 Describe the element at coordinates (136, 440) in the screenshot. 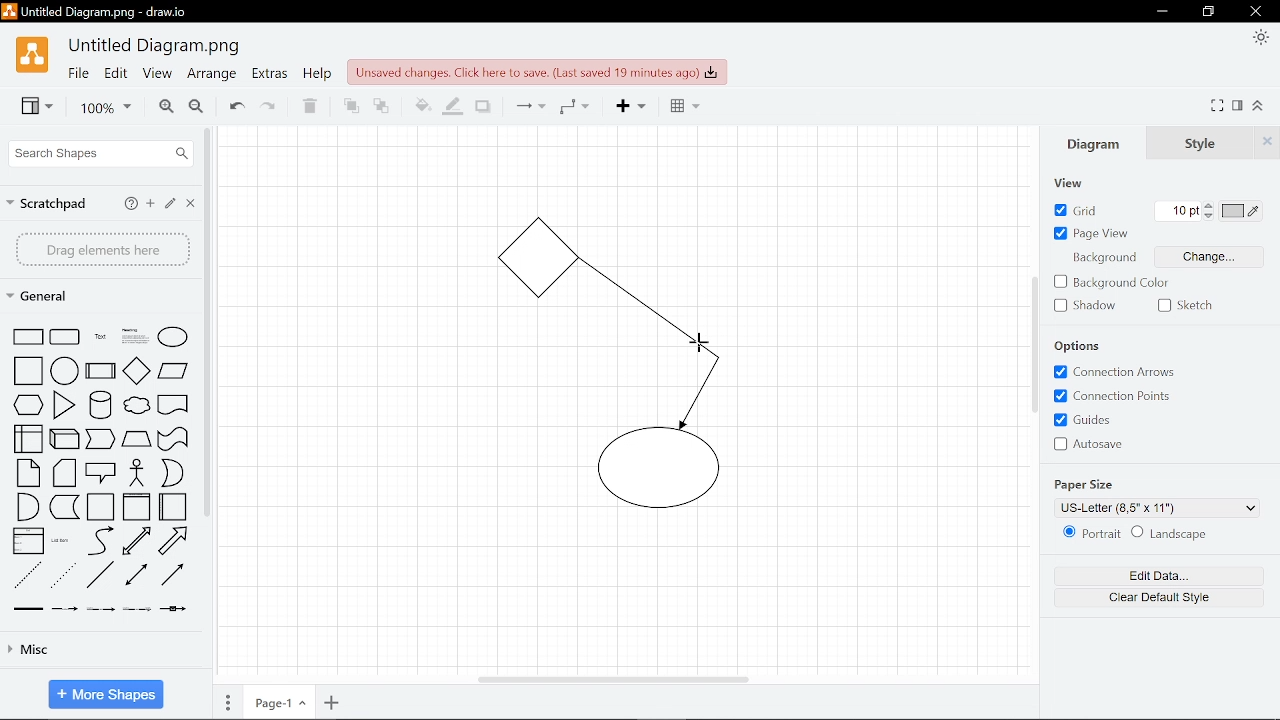

I see `shape` at that location.